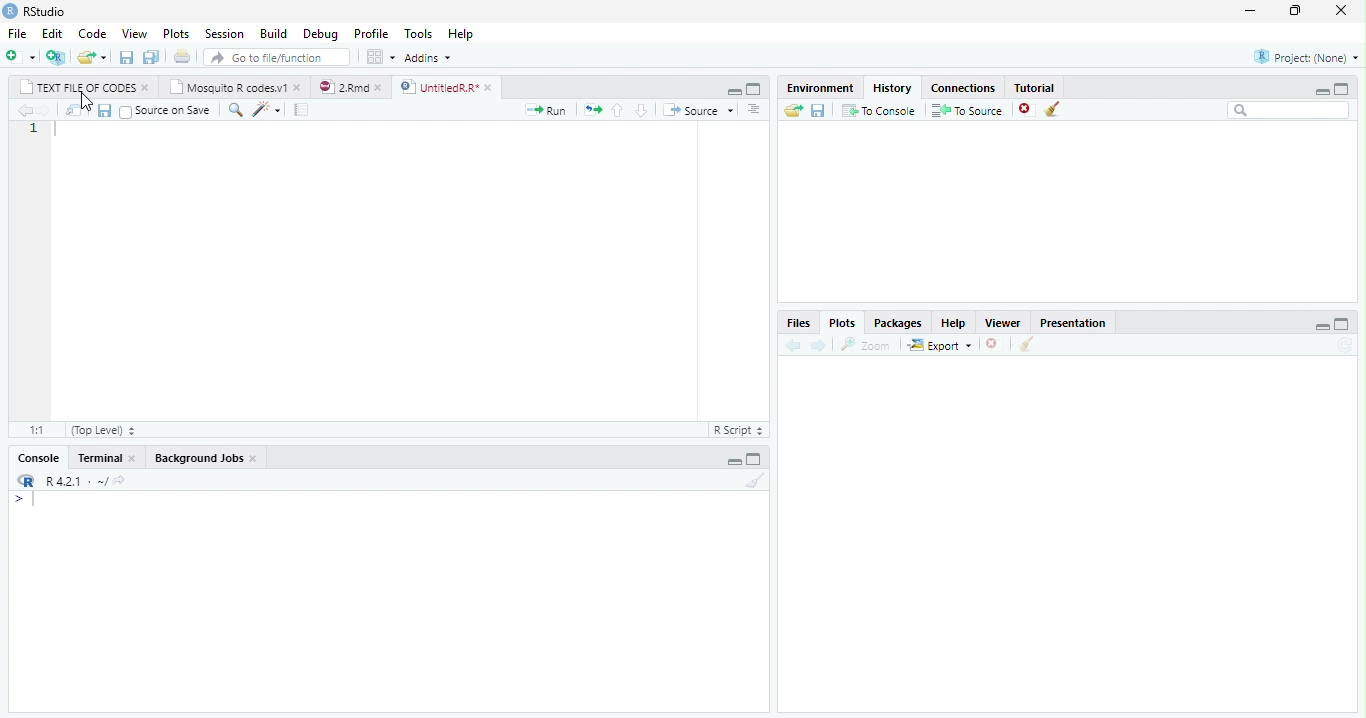  I want to click on workspace panes, so click(378, 58).